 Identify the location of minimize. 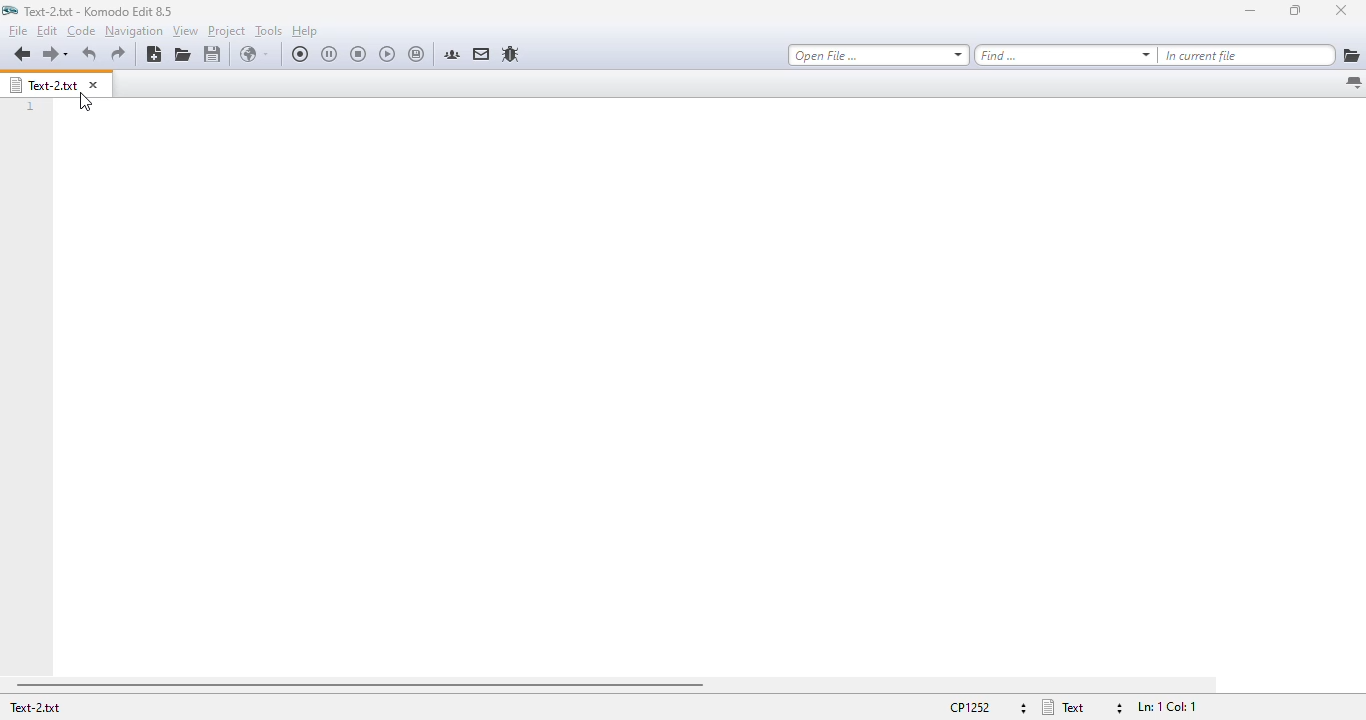
(1250, 11).